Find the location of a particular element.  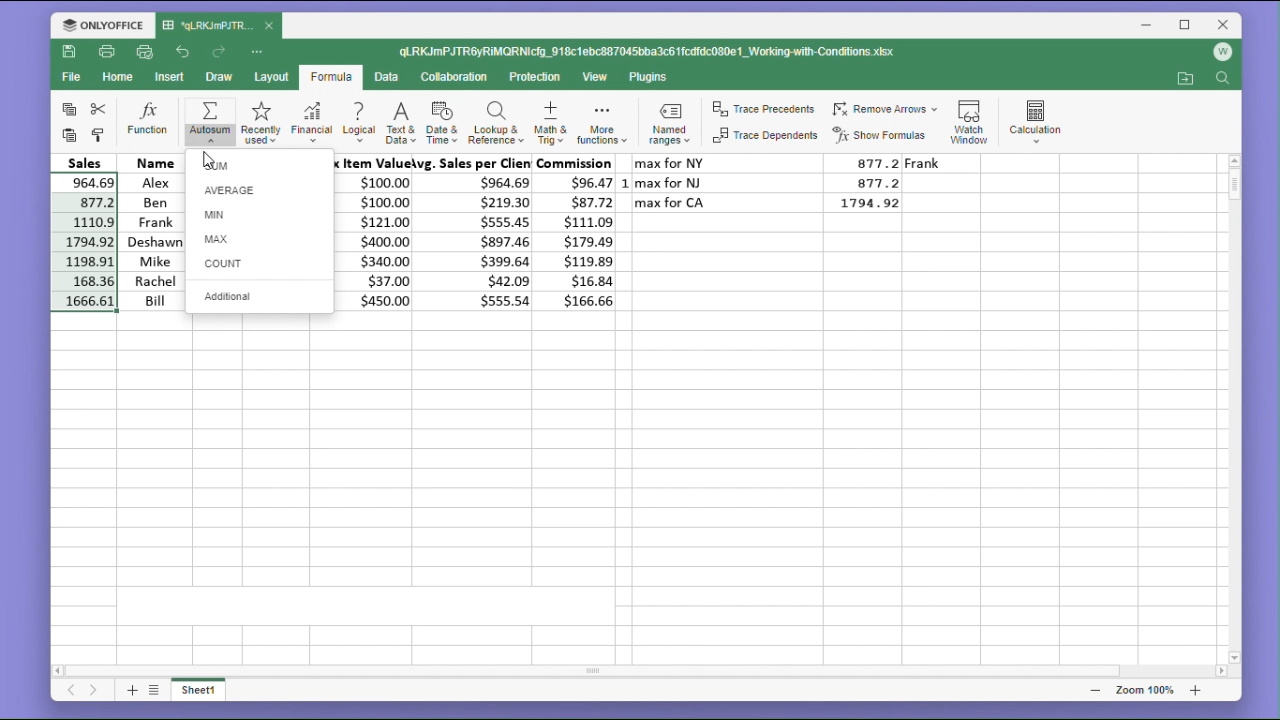

plugins is located at coordinates (649, 77).